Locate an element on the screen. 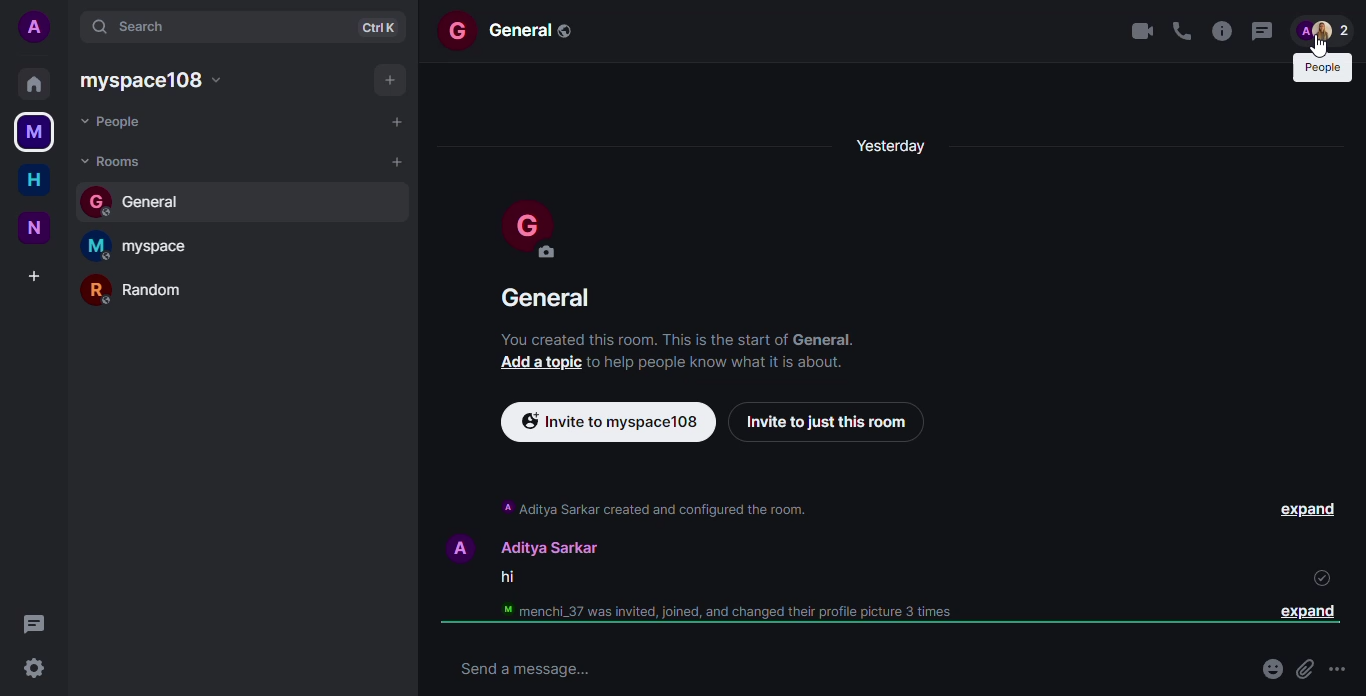 This screenshot has width=1366, height=696. general is located at coordinates (520, 30).